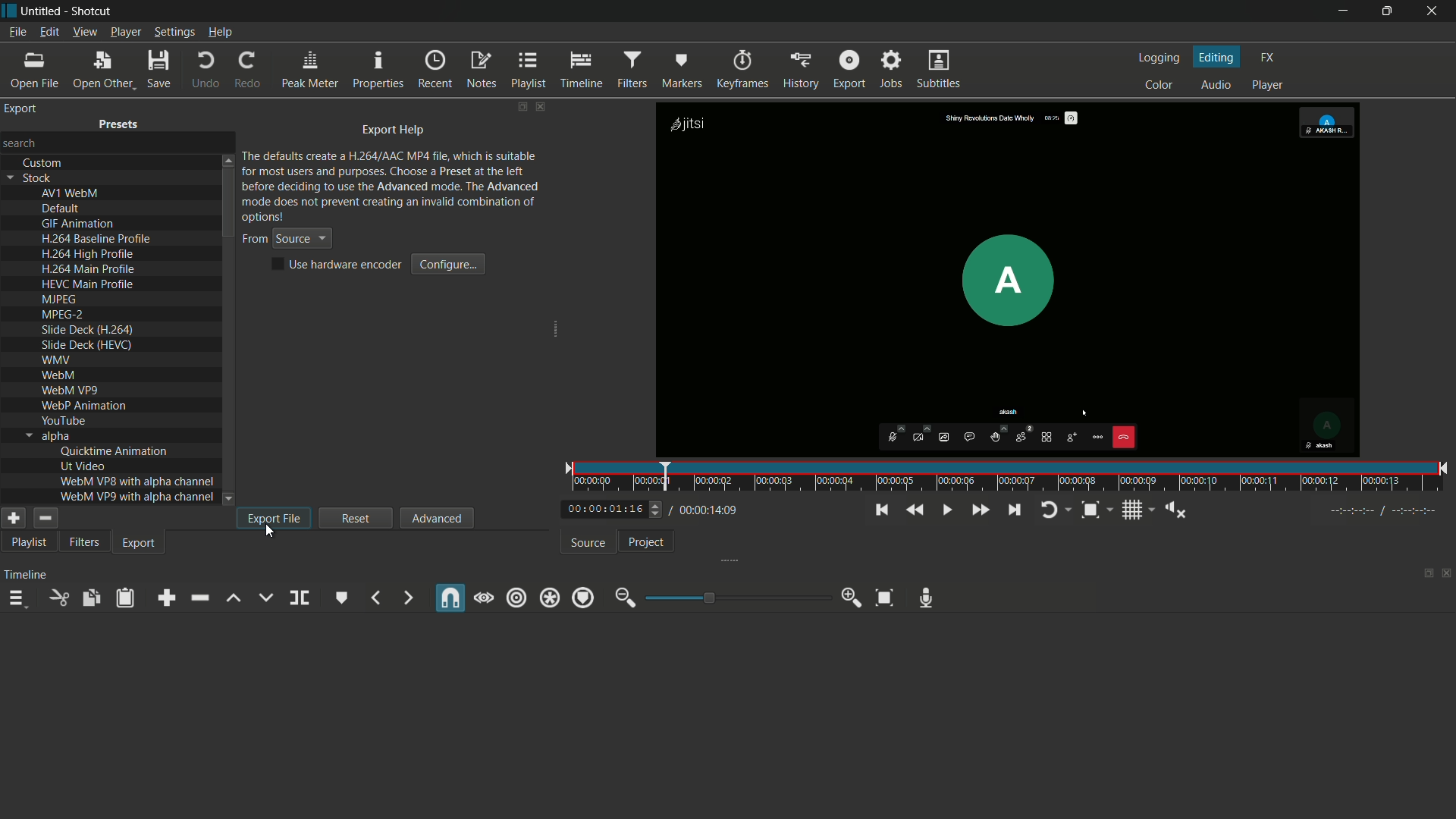 The width and height of the screenshot is (1456, 819). Describe the element at coordinates (645, 542) in the screenshot. I see `project` at that location.